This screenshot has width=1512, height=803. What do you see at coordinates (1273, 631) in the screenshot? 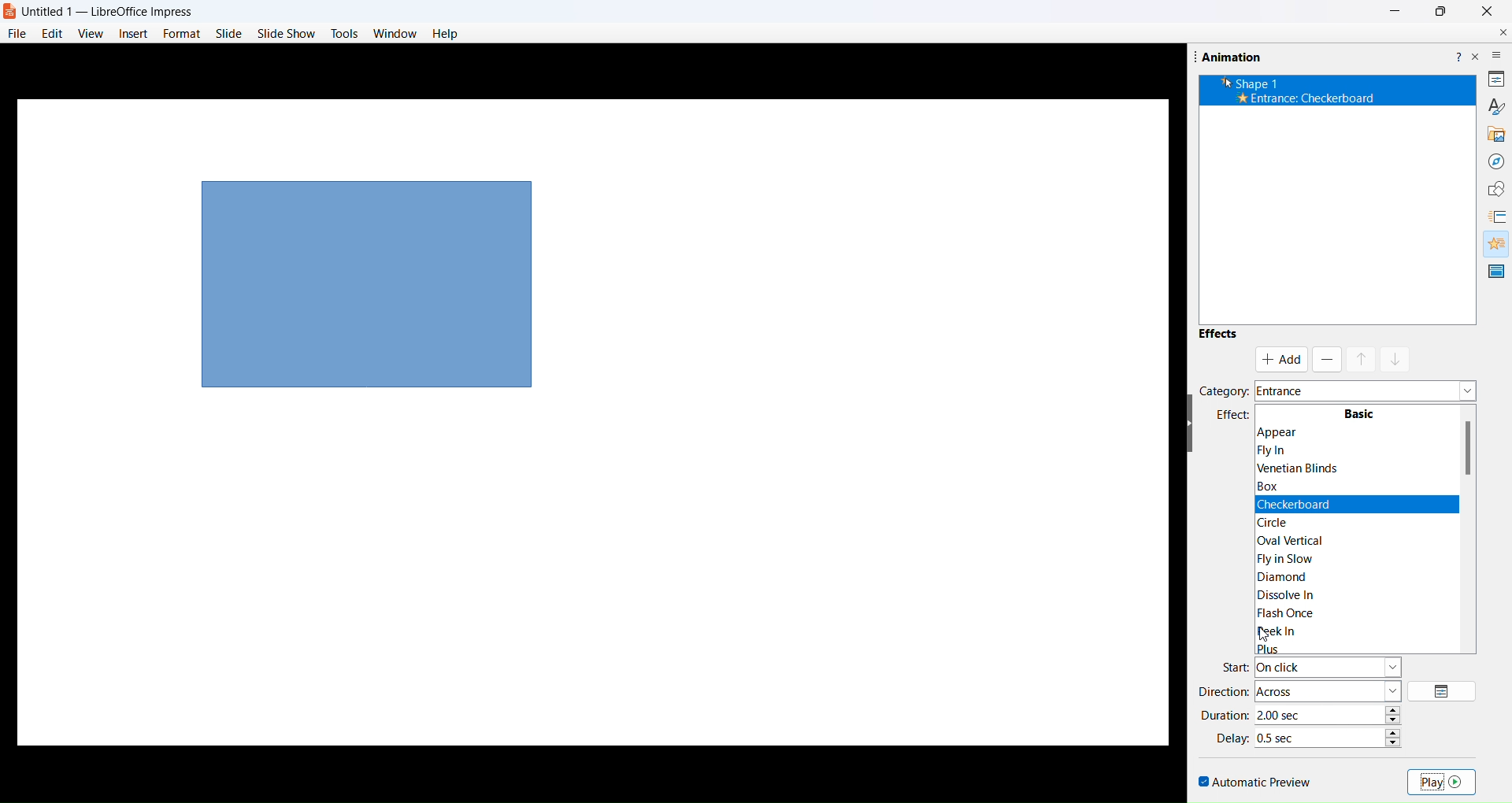
I see `peek in` at bounding box center [1273, 631].